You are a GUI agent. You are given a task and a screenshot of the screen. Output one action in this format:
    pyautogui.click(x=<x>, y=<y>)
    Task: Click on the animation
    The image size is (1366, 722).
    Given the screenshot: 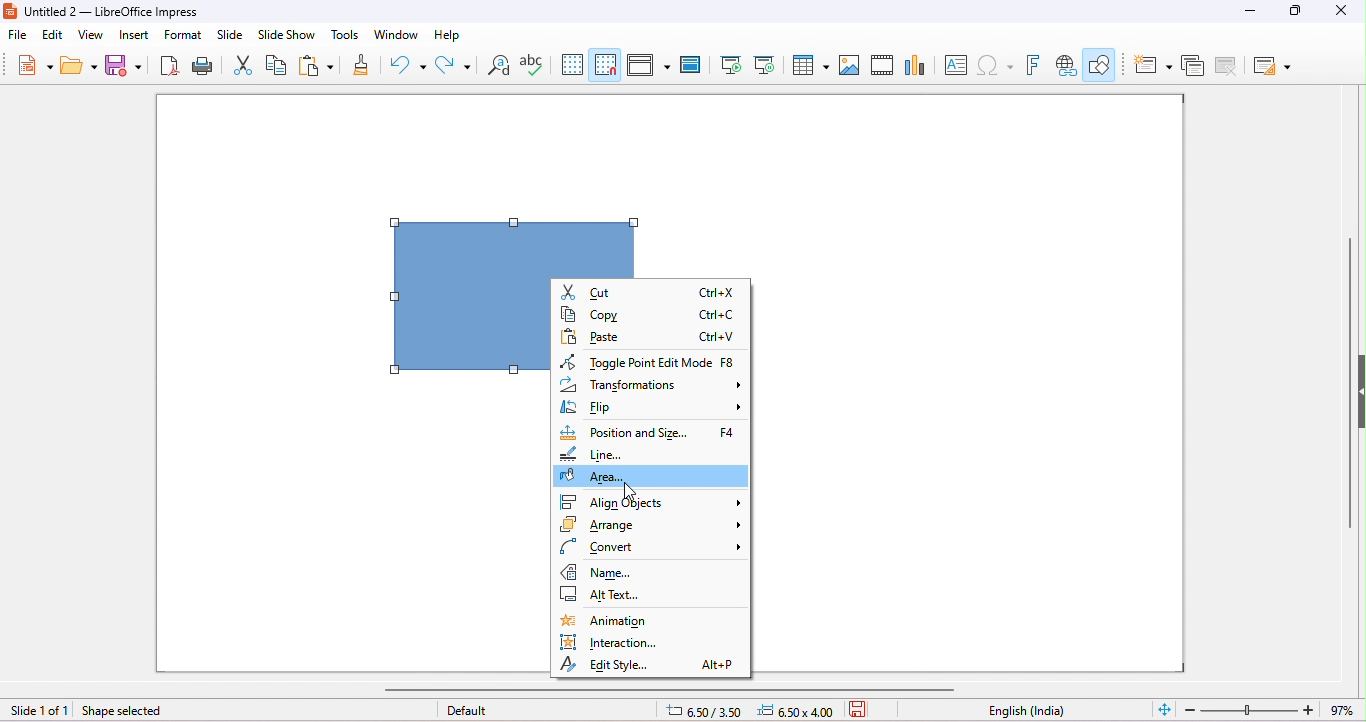 What is the action you would take?
    pyautogui.click(x=634, y=622)
    